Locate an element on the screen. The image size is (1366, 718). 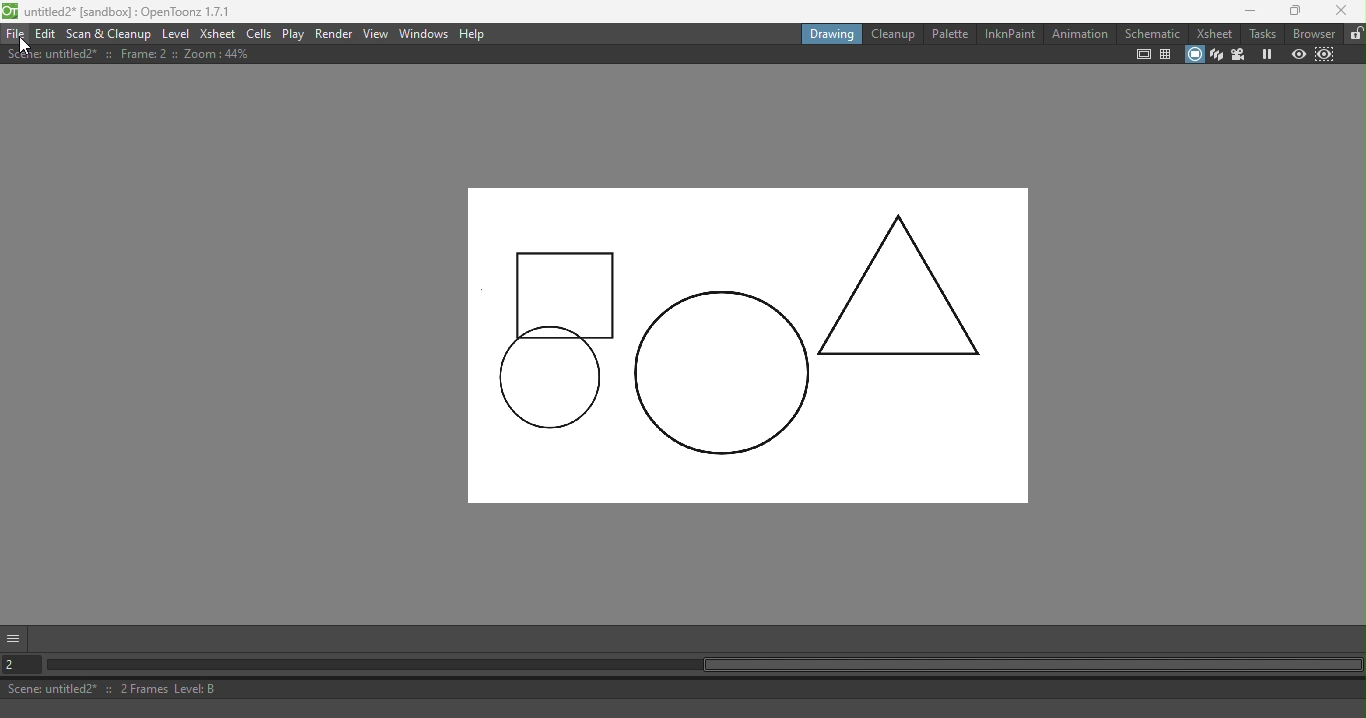
Xsheet is located at coordinates (1211, 32).